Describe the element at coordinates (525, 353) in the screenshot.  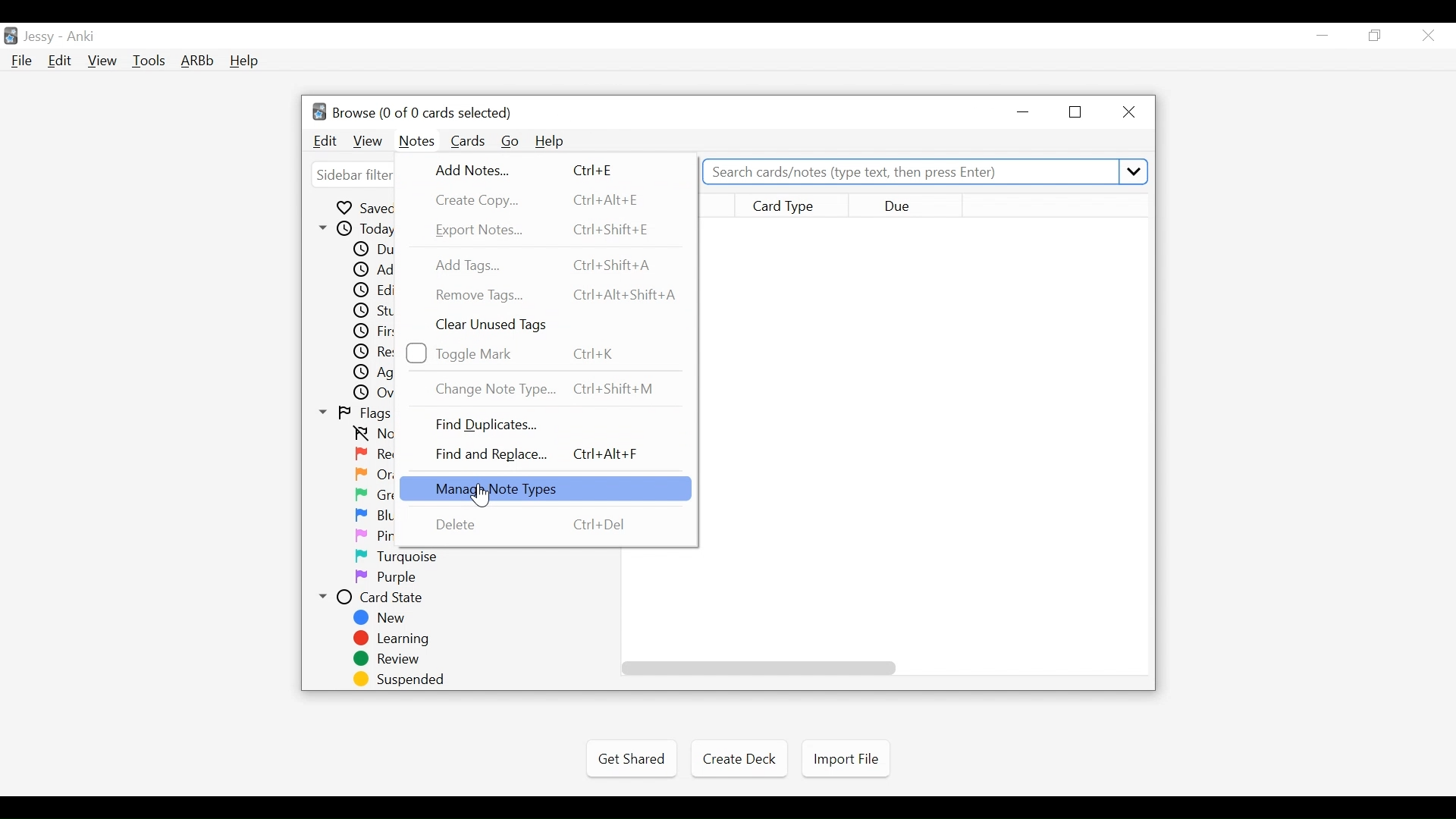
I see `Toggle Mark` at that location.